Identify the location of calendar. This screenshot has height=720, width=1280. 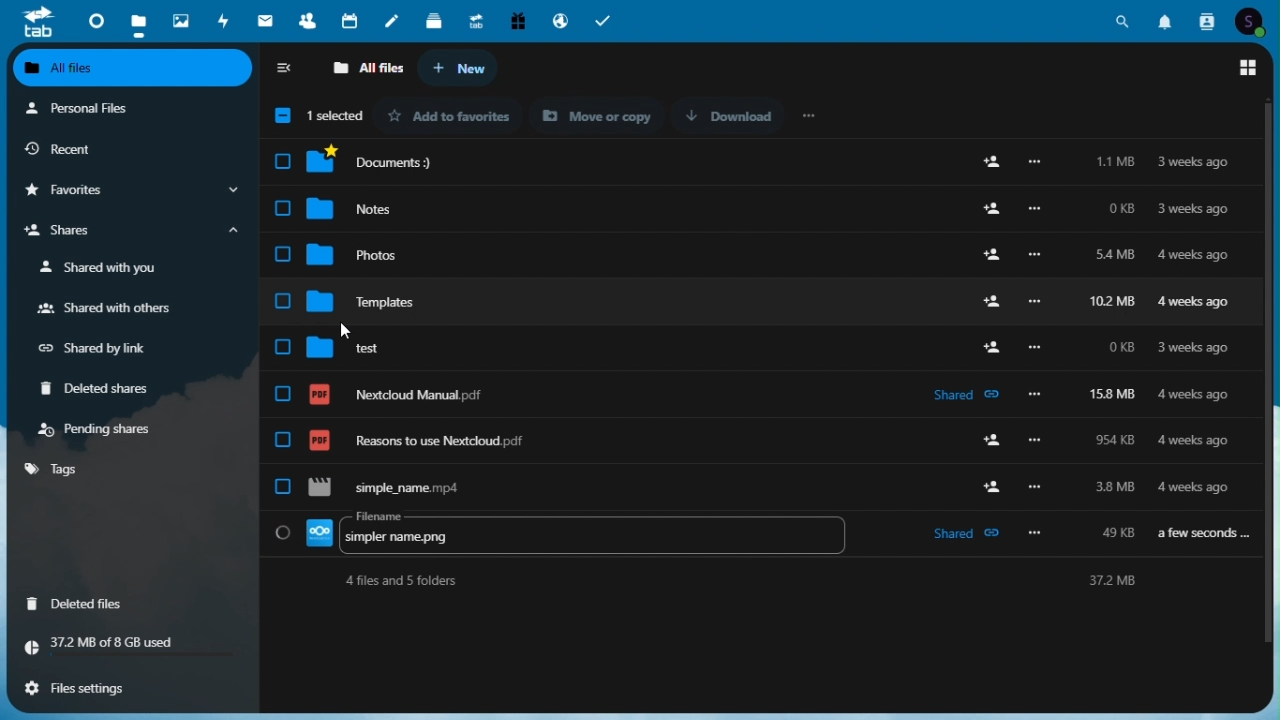
(352, 19).